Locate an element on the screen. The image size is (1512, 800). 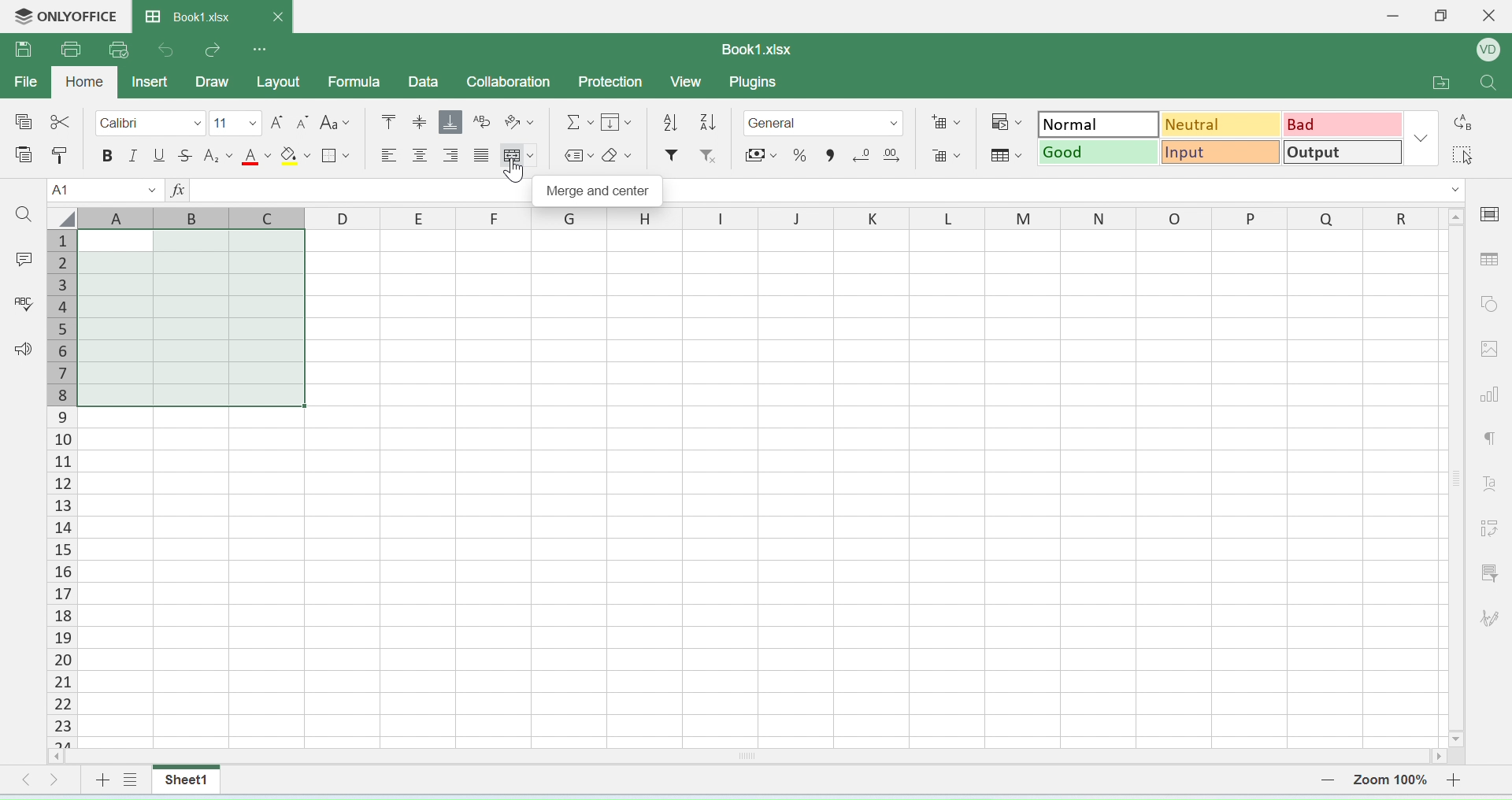
zoom in is located at coordinates (1453, 780).